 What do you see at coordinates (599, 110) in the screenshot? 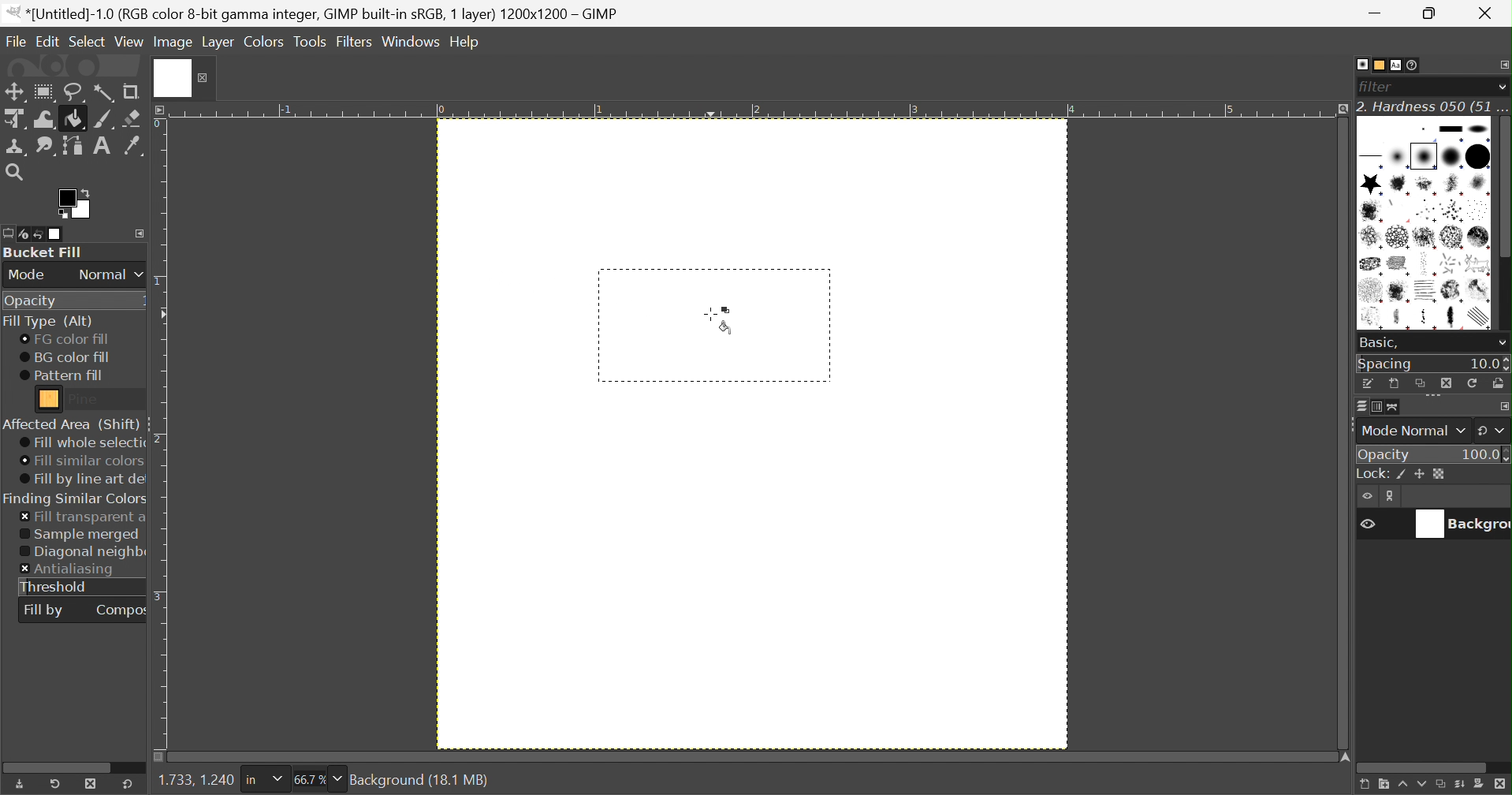
I see `1` at bounding box center [599, 110].